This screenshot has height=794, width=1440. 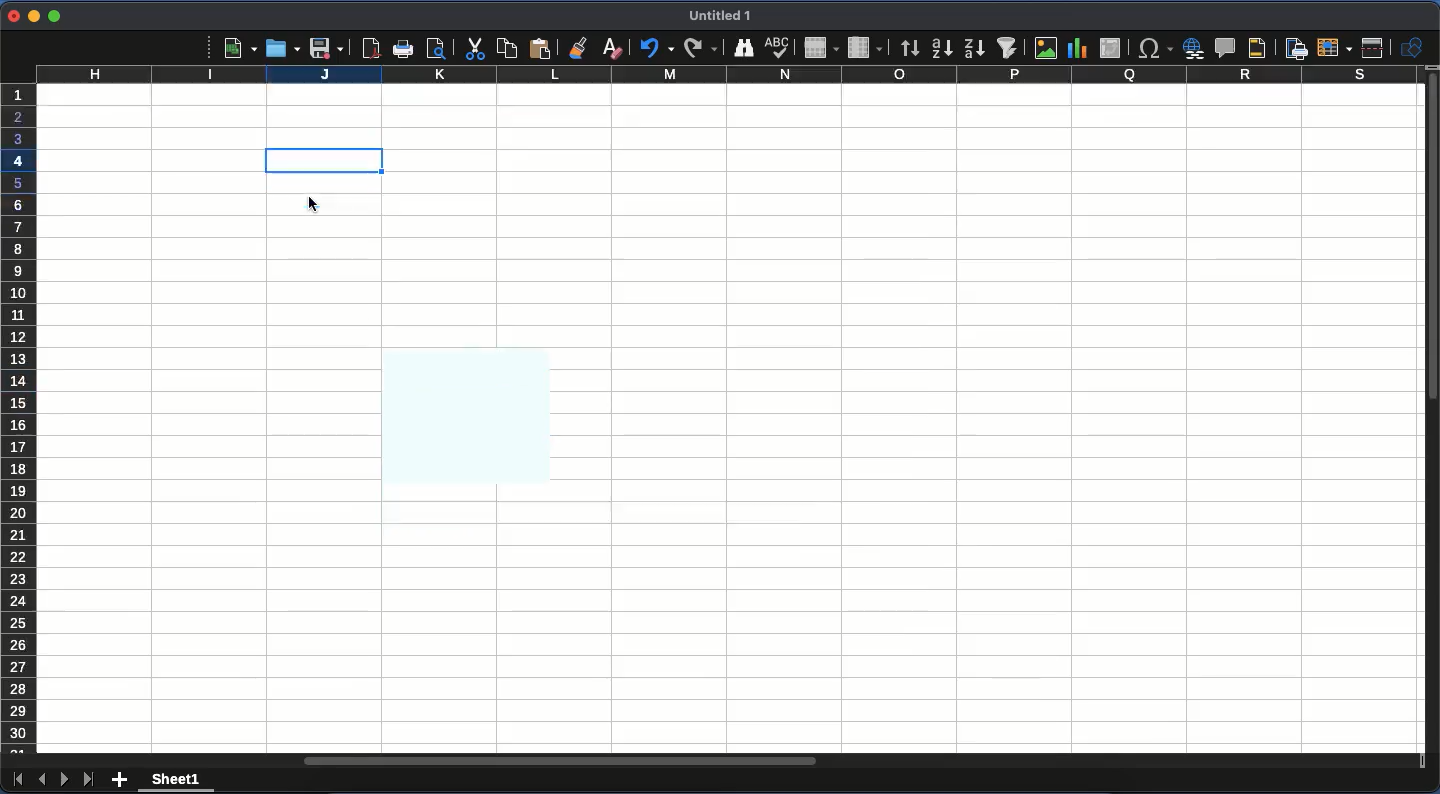 I want to click on horizontal scroll bar, so click(x=567, y=761).